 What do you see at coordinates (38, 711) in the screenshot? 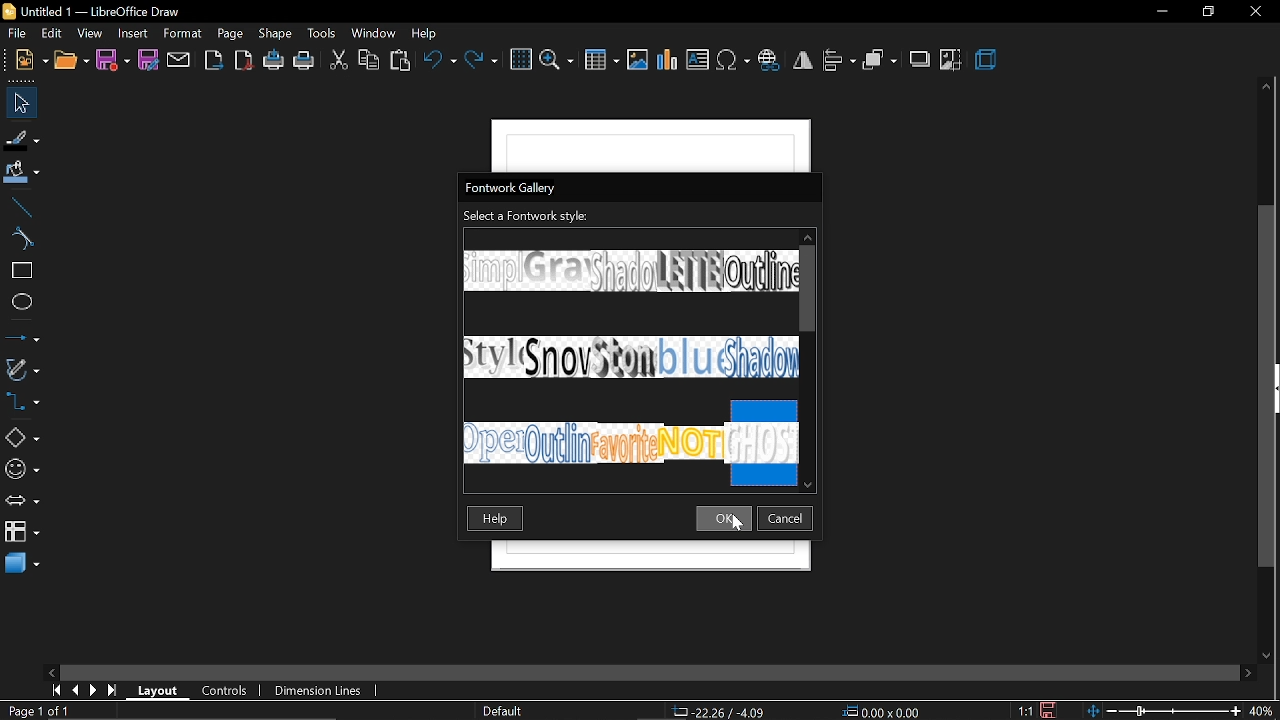
I see `Page 1 of 1` at bounding box center [38, 711].